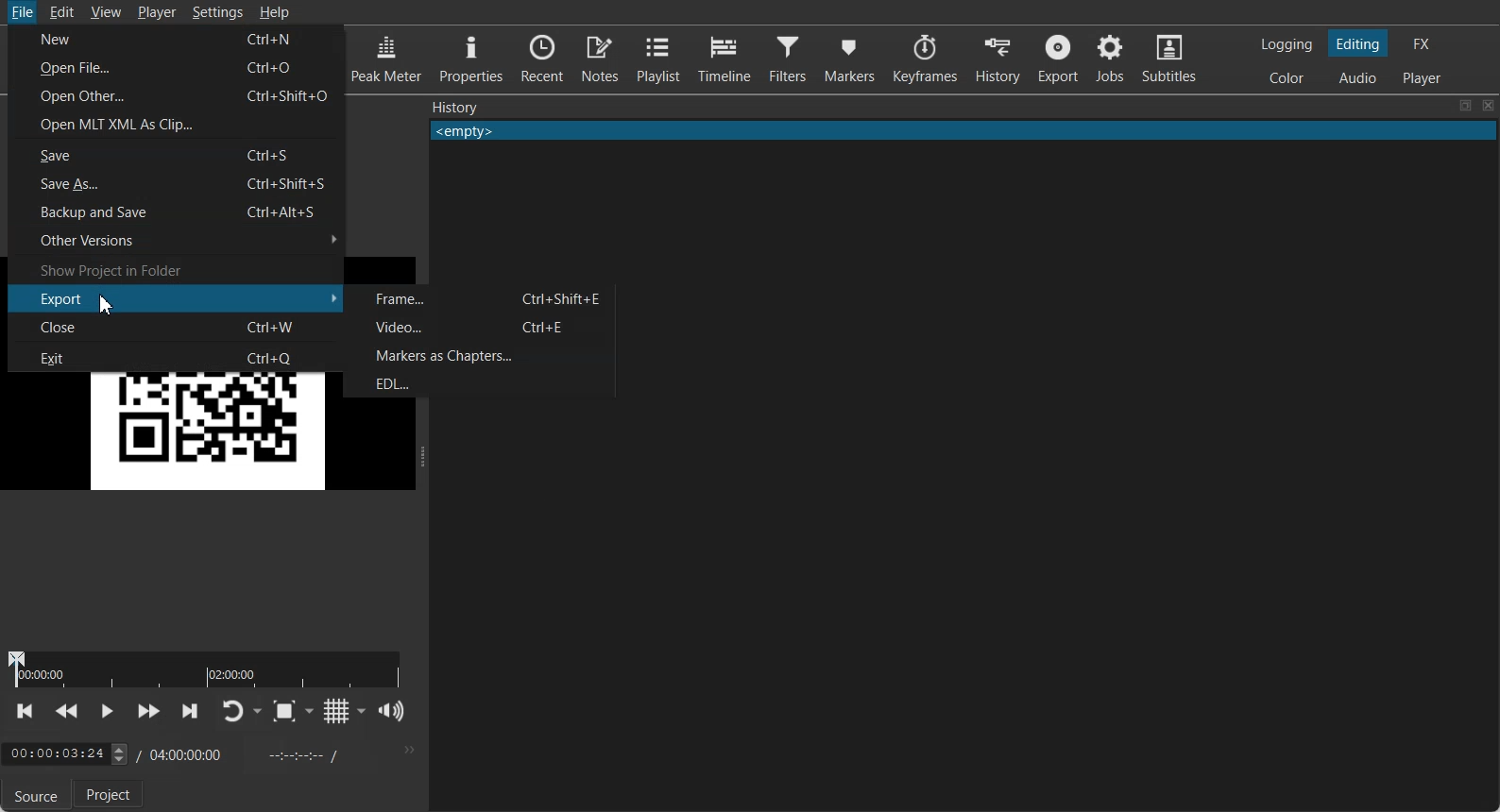 This screenshot has height=812, width=1500. What do you see at coordinates (563, 297) in the screenshot?
I see `Ctrl+Shift+E` at bounding box center [563, 297].